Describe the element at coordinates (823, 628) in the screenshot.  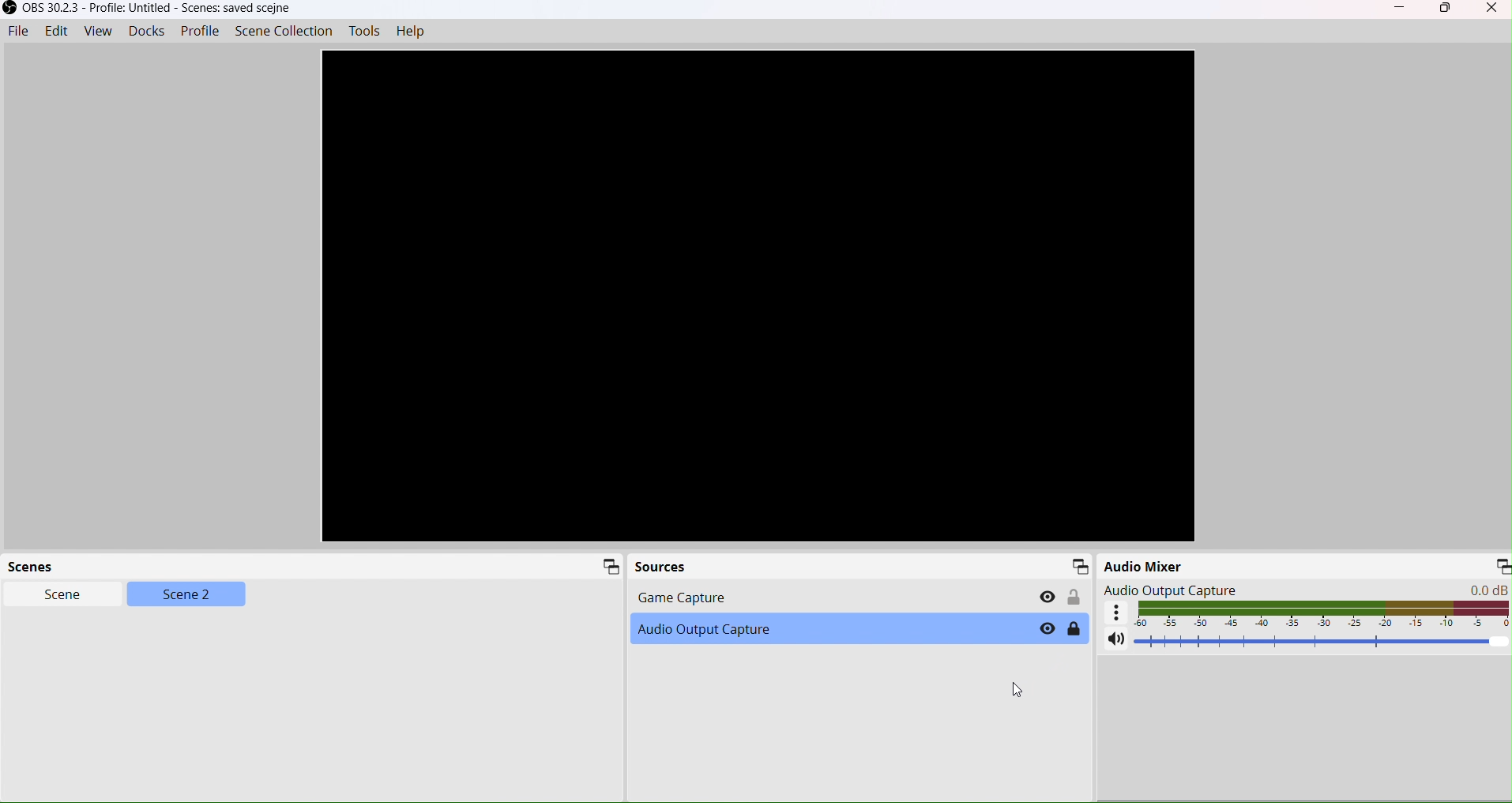
I see `Audio Capture` at that location.